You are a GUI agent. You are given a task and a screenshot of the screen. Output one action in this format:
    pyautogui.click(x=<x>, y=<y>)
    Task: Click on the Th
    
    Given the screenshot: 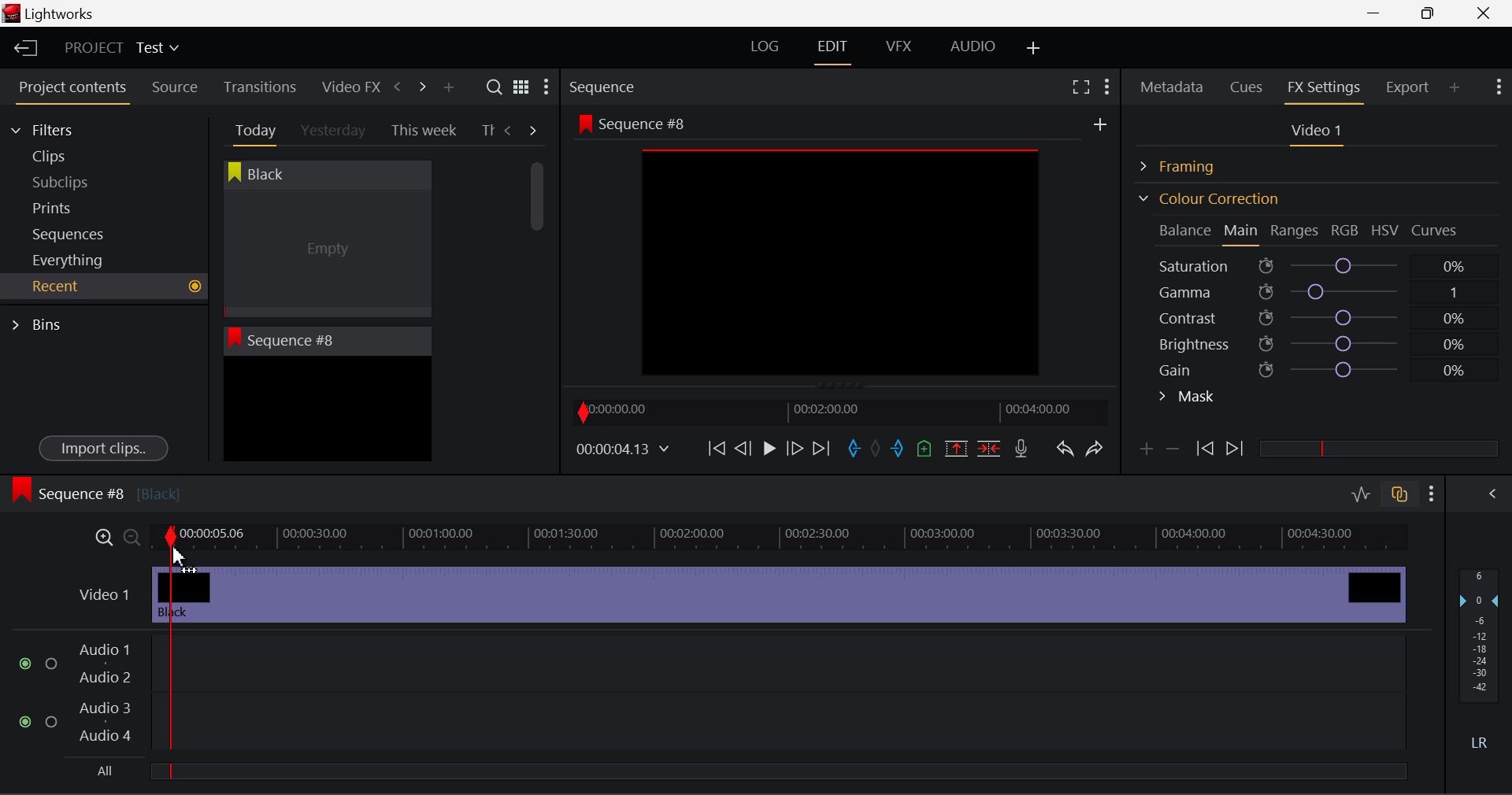 What is the action you would take?
    pyautogui.click(x=487, y=131)
    